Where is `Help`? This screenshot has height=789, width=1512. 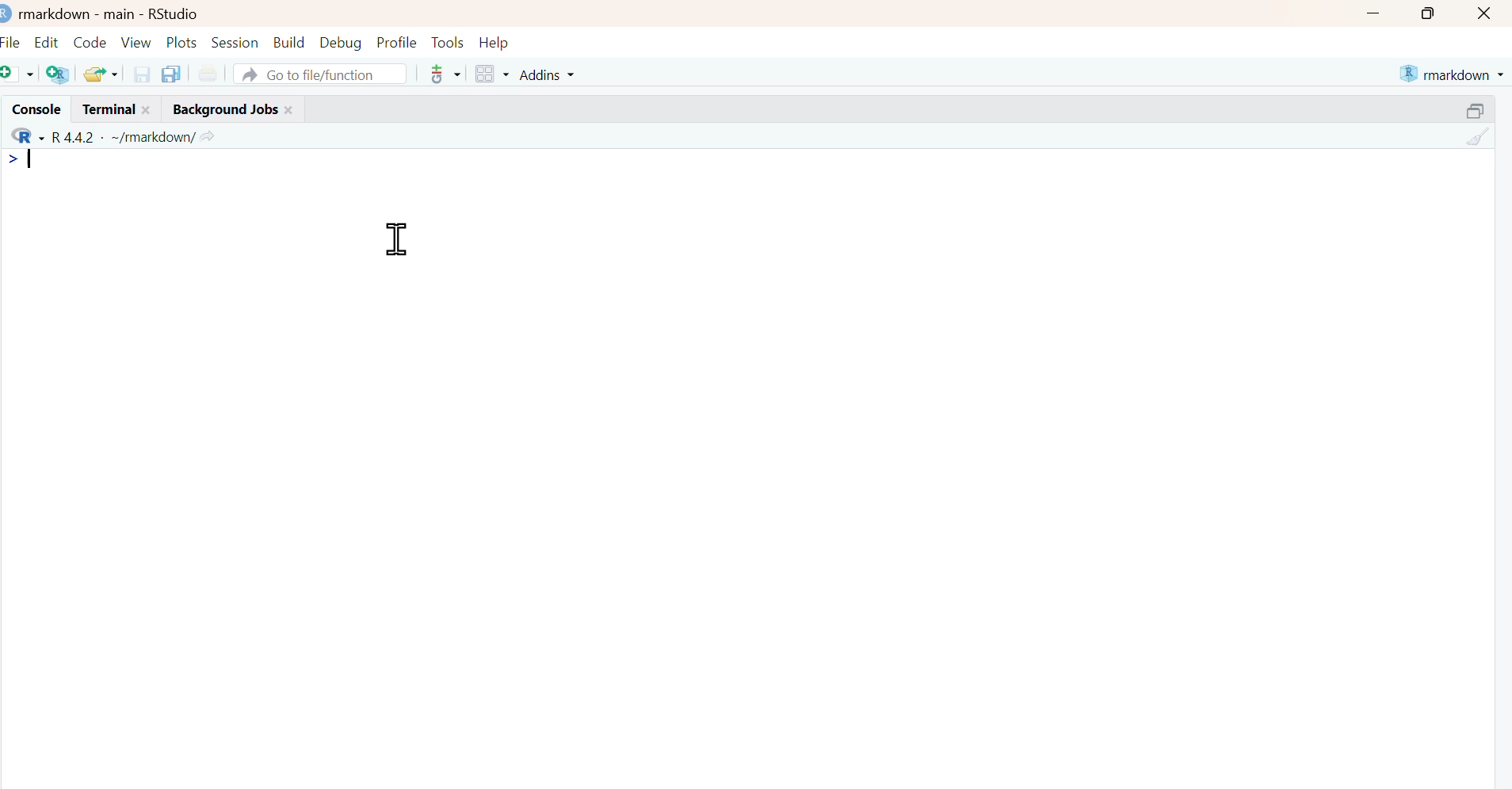
Help is located at coordinates (499, 41).